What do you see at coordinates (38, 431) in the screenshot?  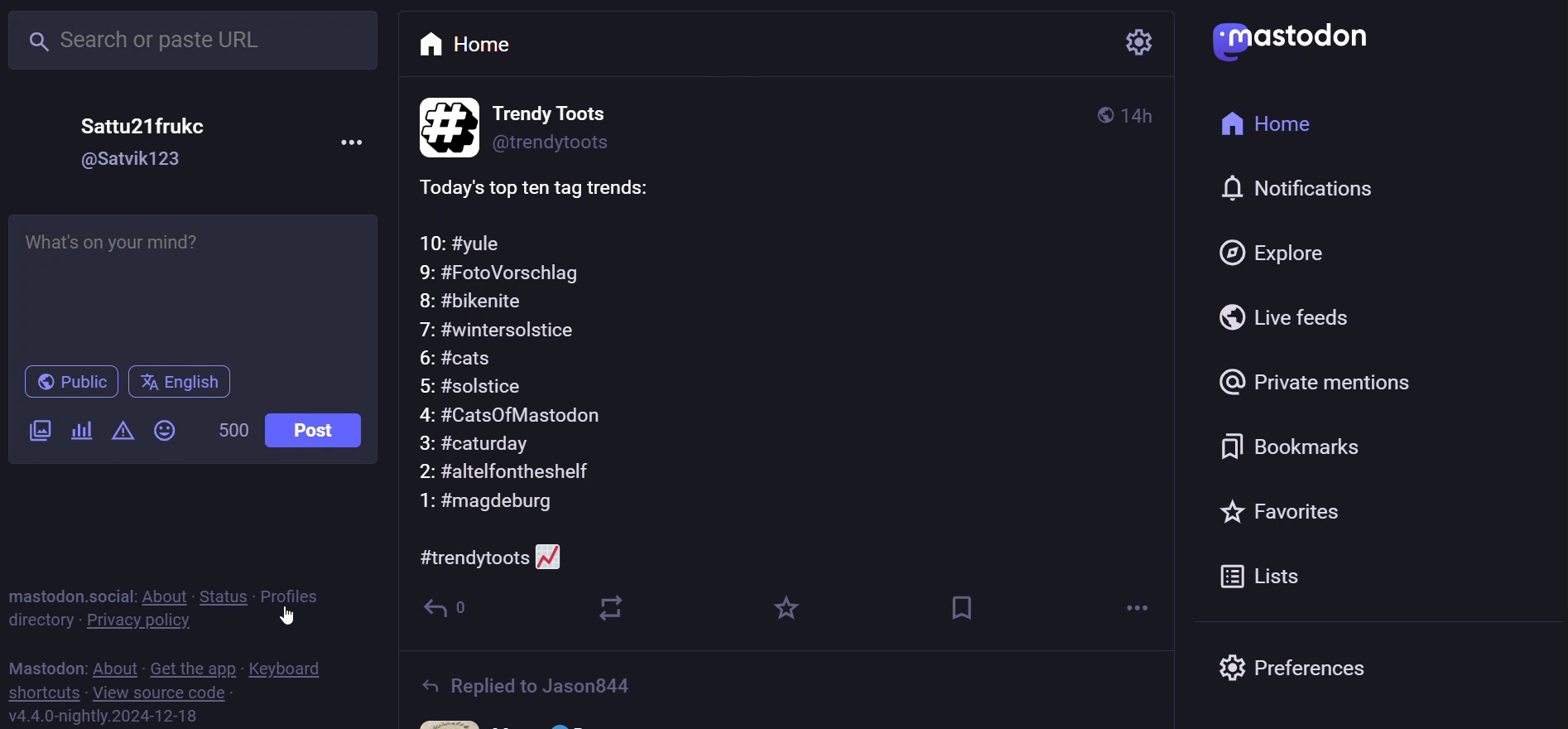 I see `image/video` at bounding box center [38, 431].